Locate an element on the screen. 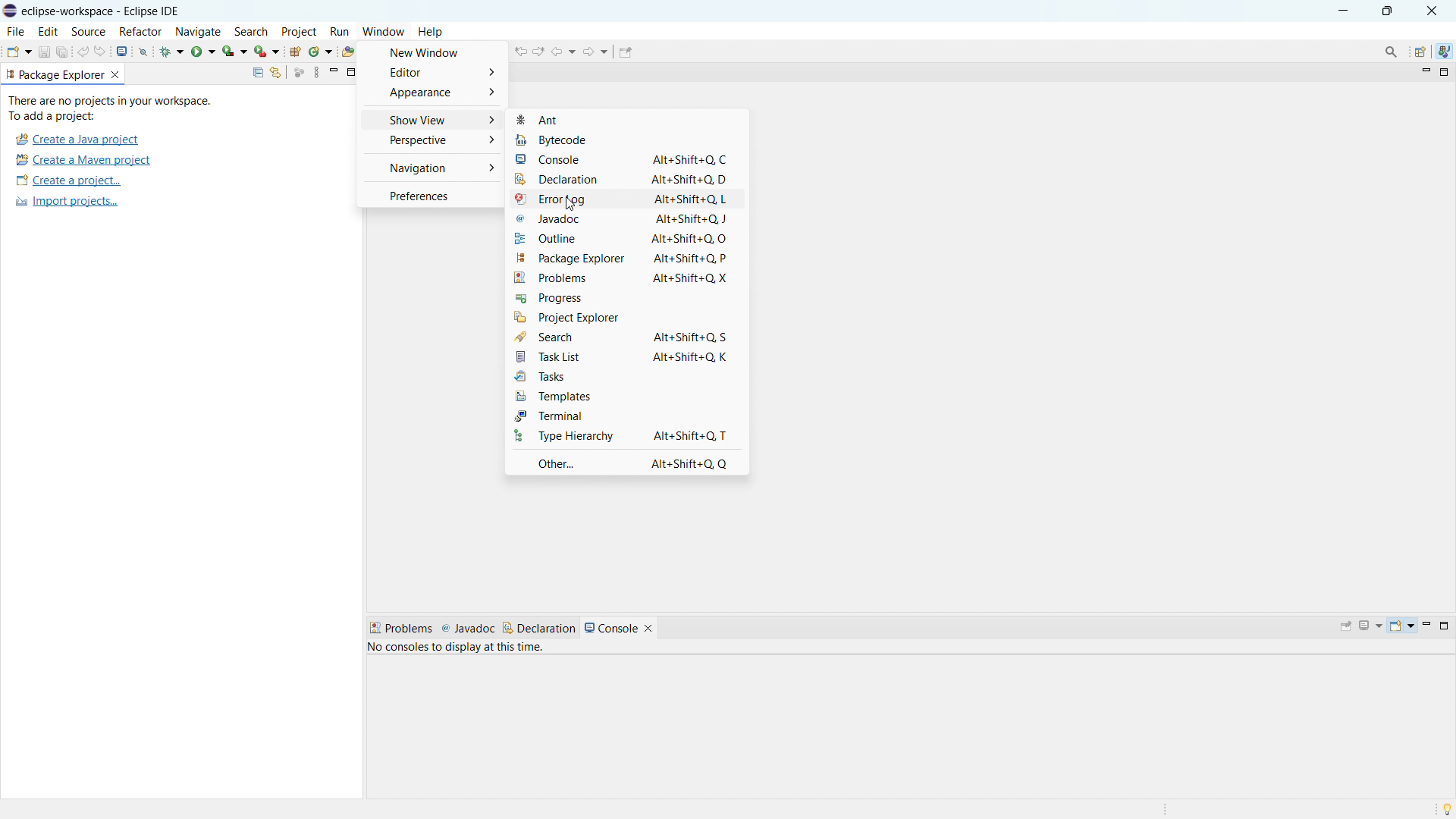  navigate is located at coordinates (199, 32).